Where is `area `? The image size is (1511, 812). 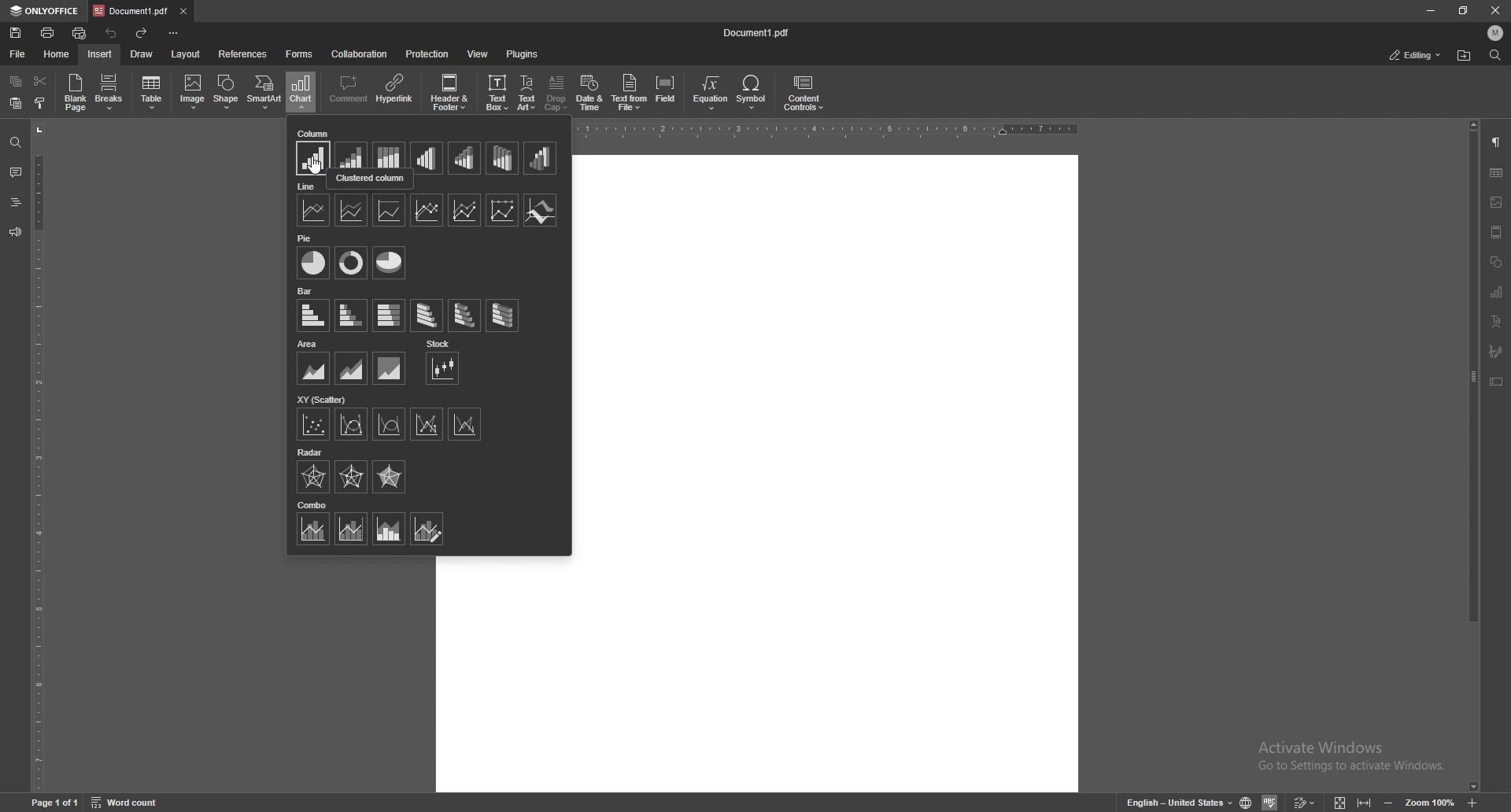
area  is located at coordinates (308, 344).